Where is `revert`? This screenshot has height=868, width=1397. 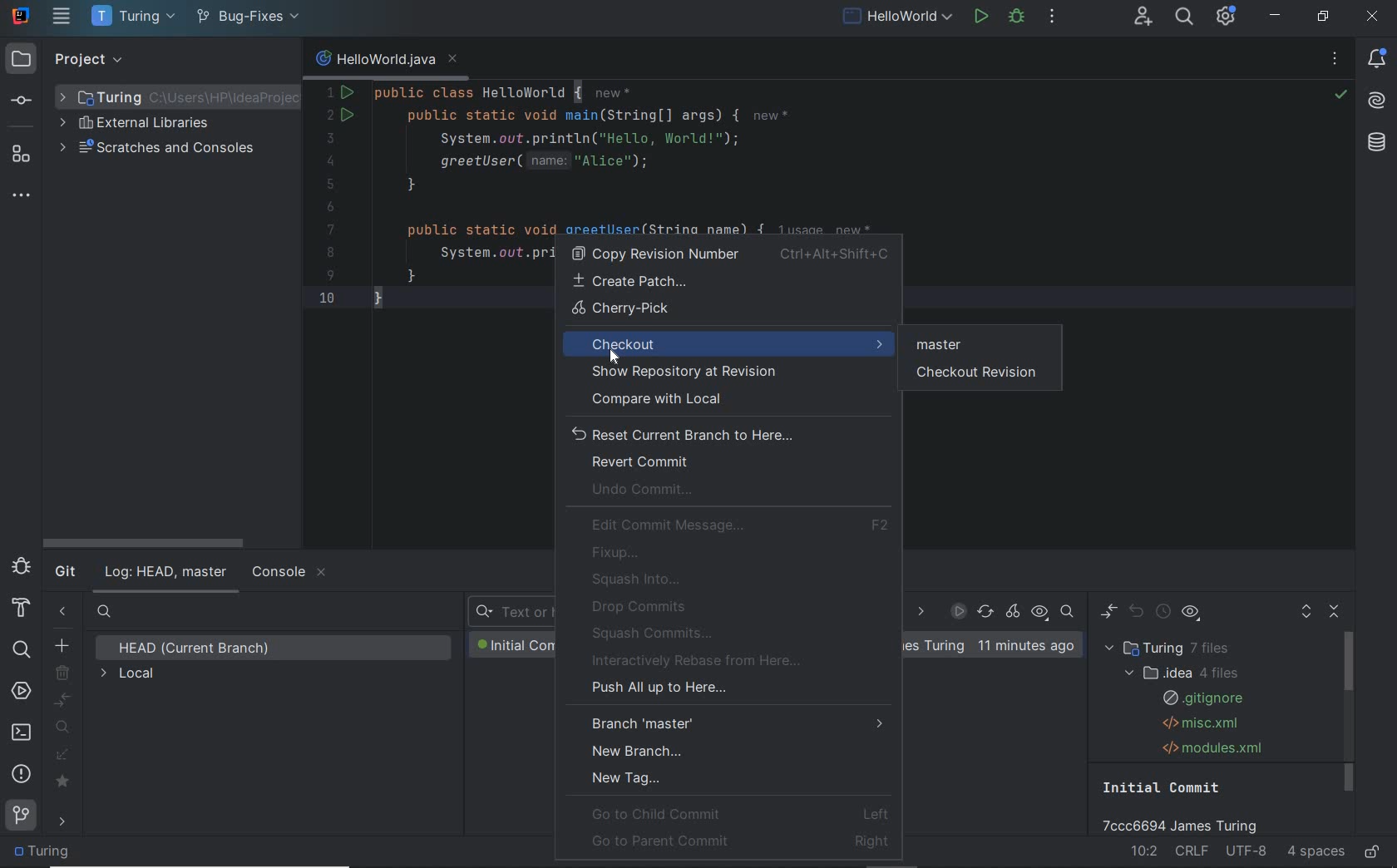
revert is located at coordinates (1138, 613).